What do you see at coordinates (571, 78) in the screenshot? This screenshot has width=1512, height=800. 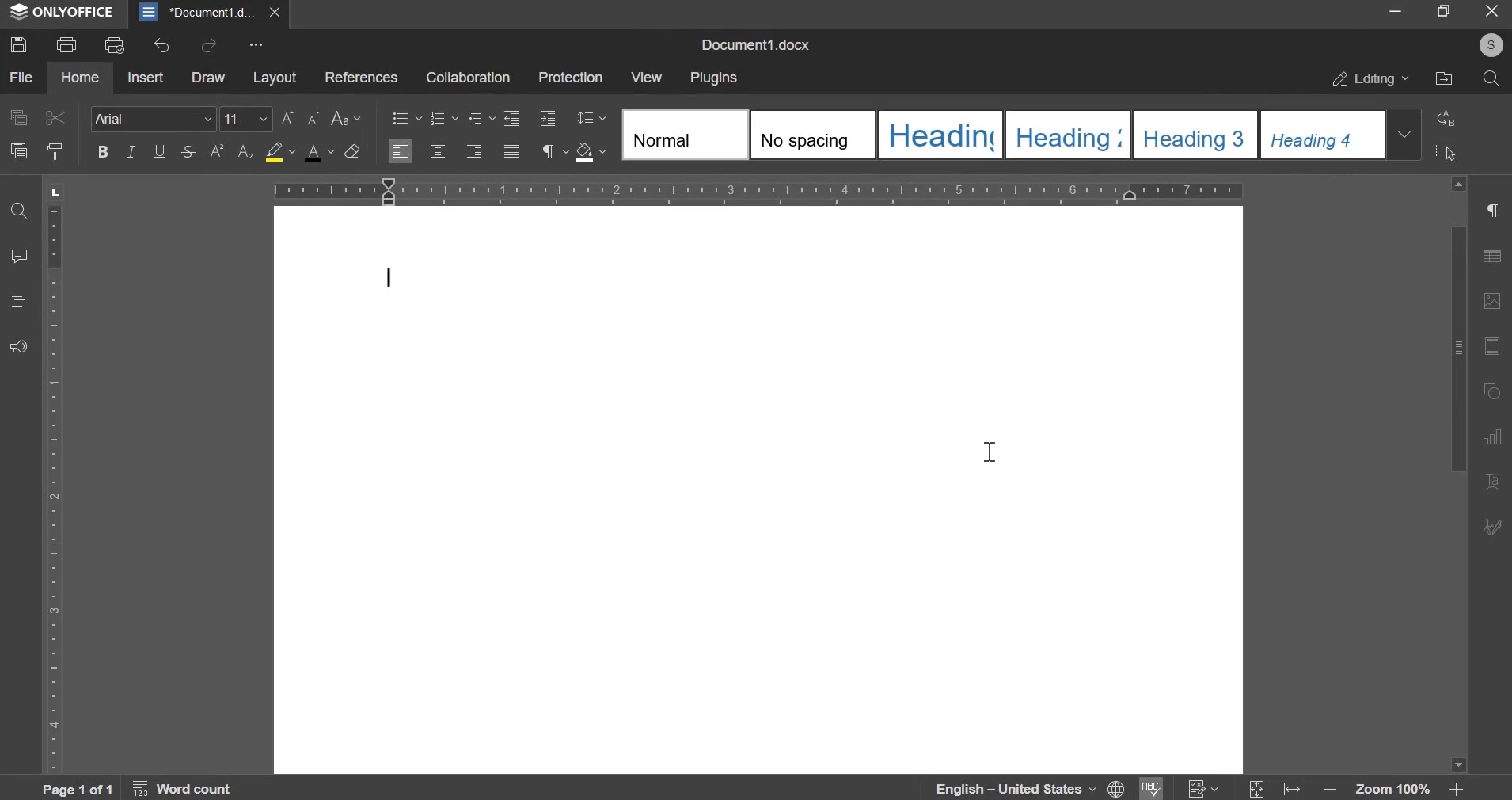 I see `protection` at bounding box center [571, 78].